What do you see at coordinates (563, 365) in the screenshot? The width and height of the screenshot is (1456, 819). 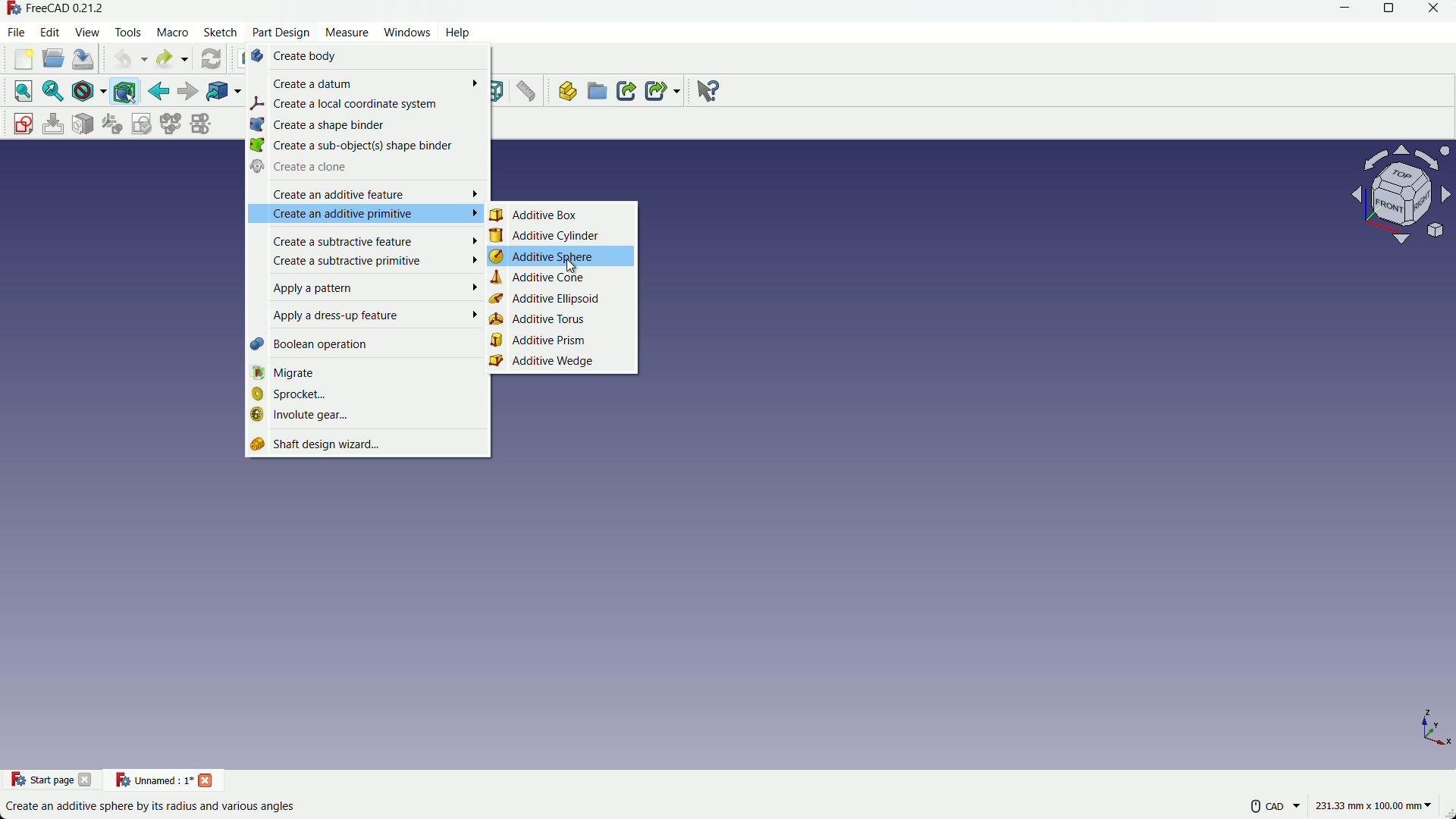 I see `additive wedge` at bounding box center [563, 365].